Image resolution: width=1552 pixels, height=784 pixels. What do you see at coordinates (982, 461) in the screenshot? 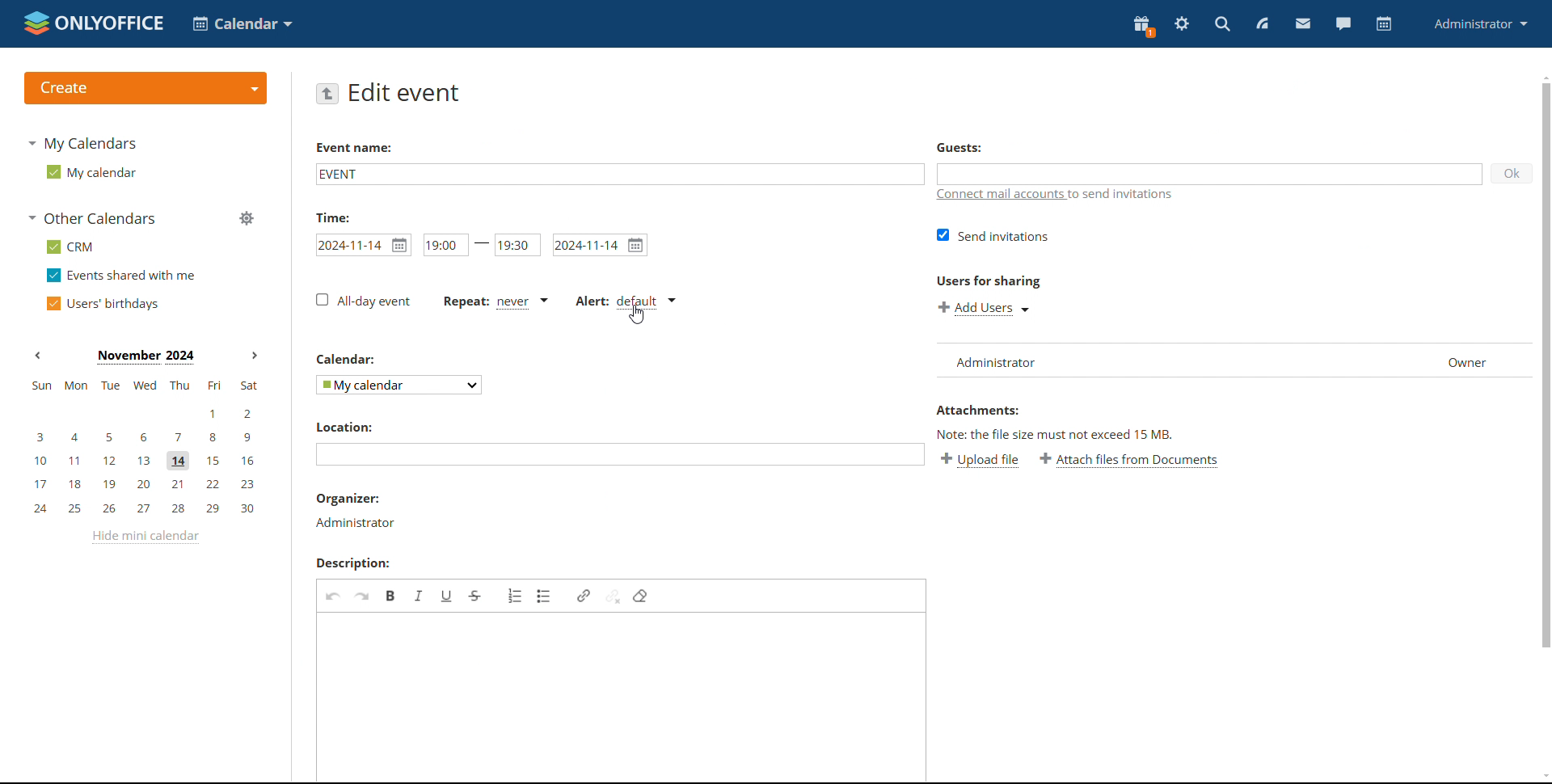
I see `upload file` at bounding box center [982, 461].